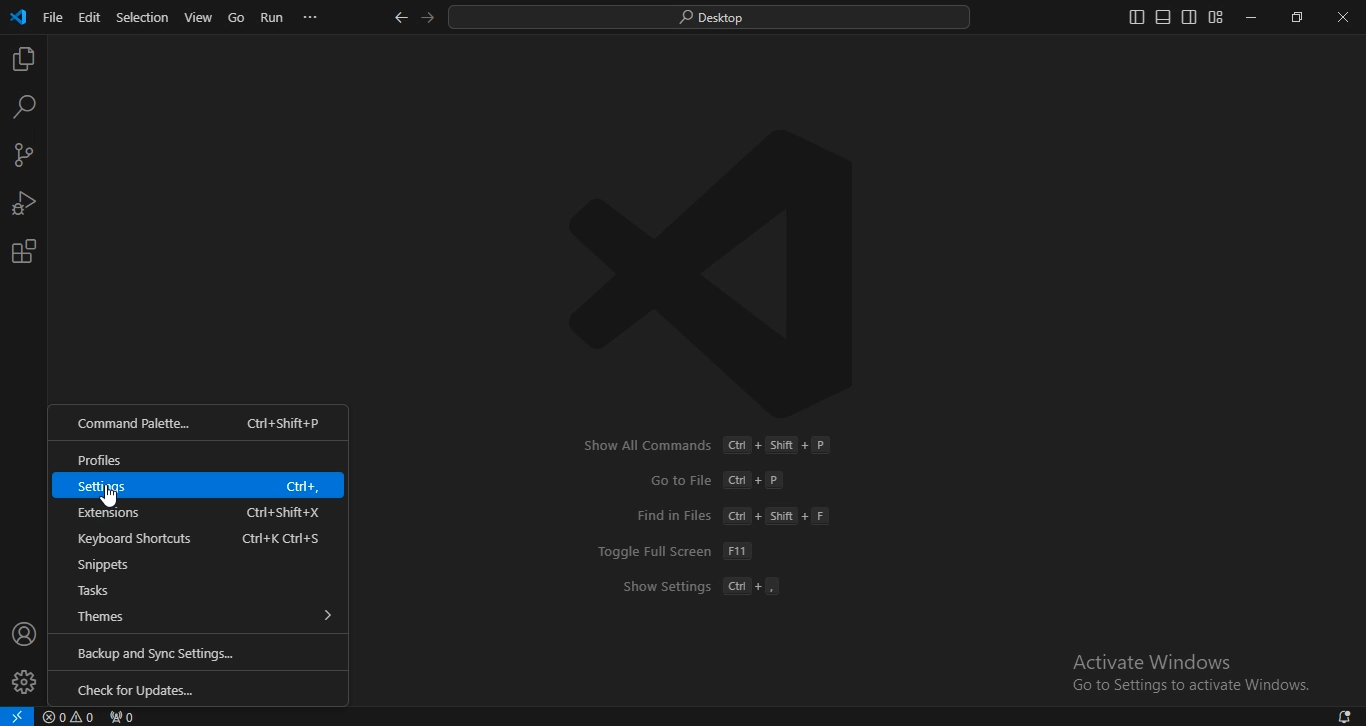 The image size is (1366, 726). Describe the element at coordinates (24, 61) in the screenshot. I see `explorer` at that location.